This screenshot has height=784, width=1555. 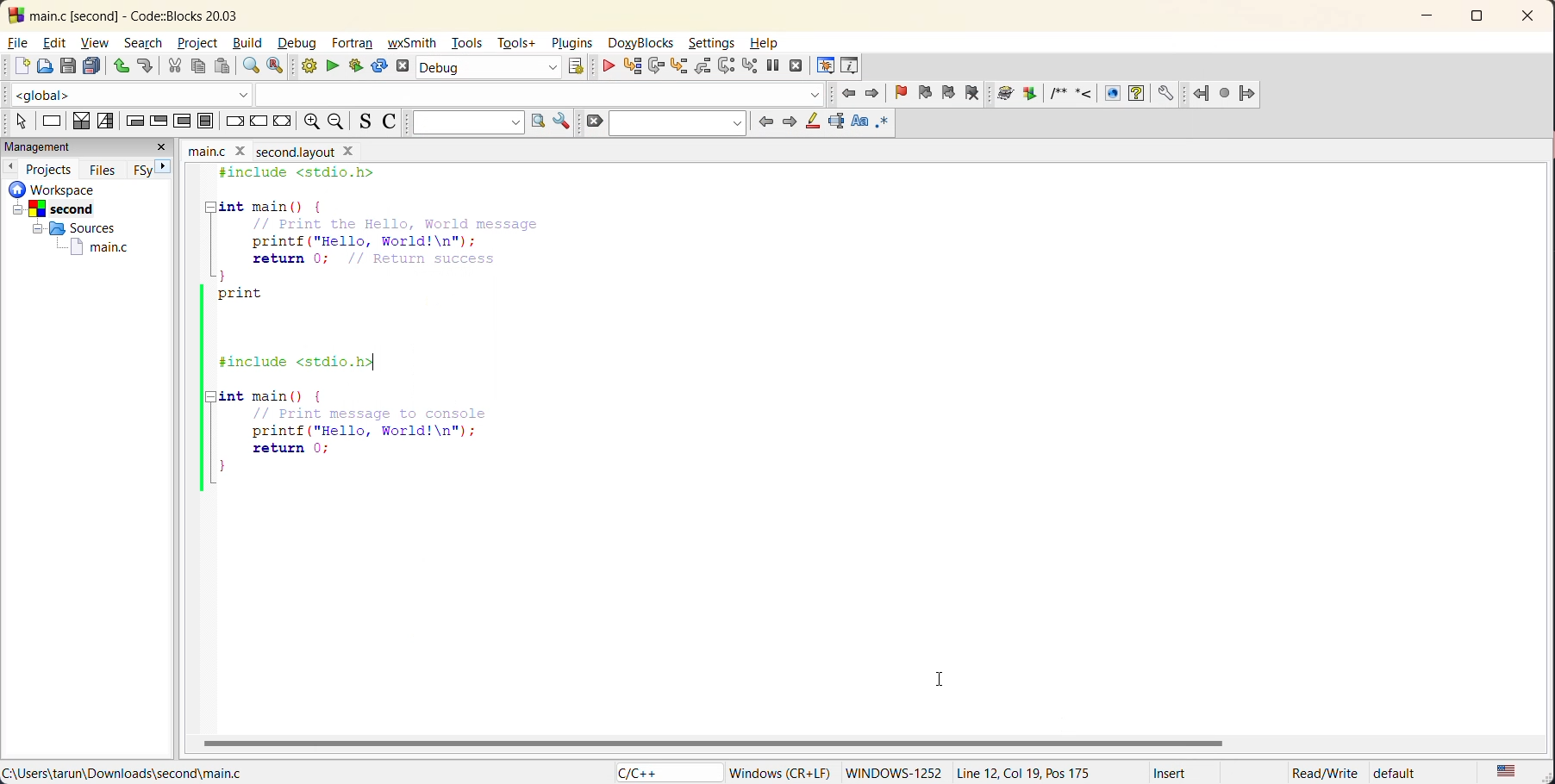 What do you see at coordinates (682, 66) in the screenshot?
I see `step into` at bounding box center [682, 66].